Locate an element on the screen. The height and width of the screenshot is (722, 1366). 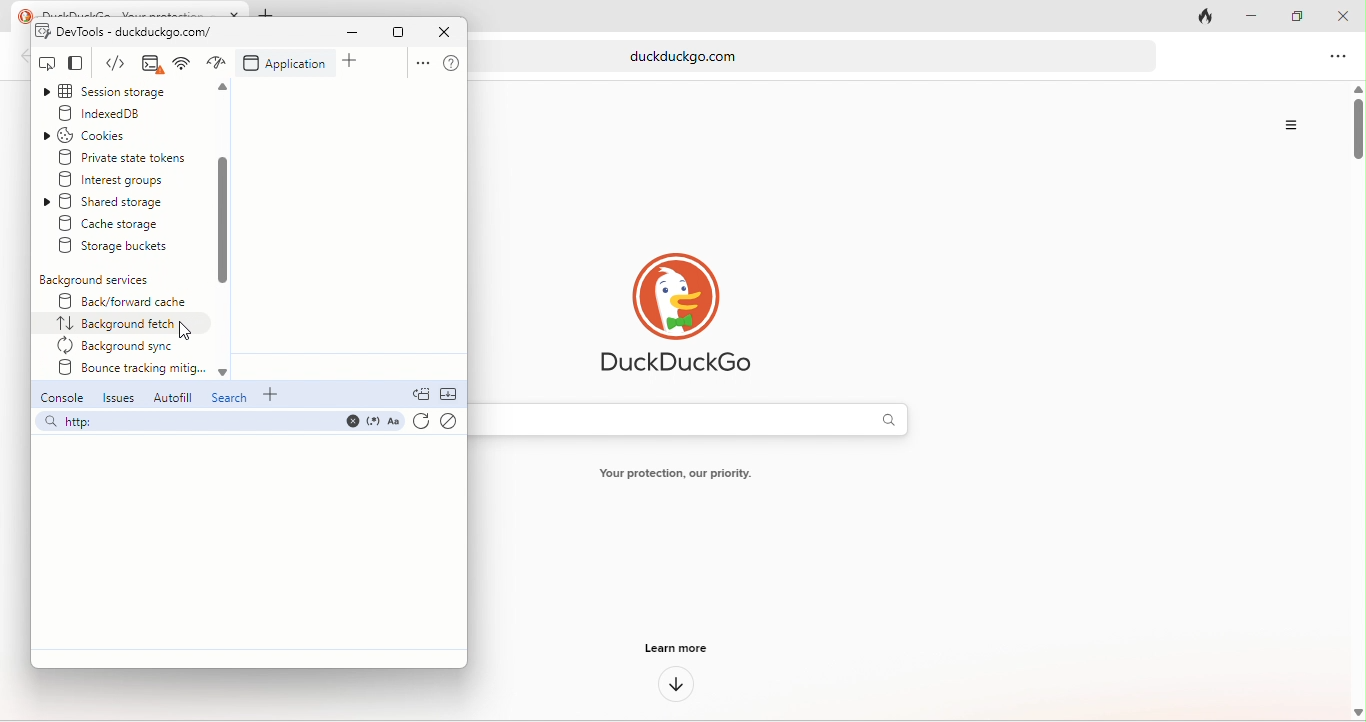
close is located at coordinates (443, 32).